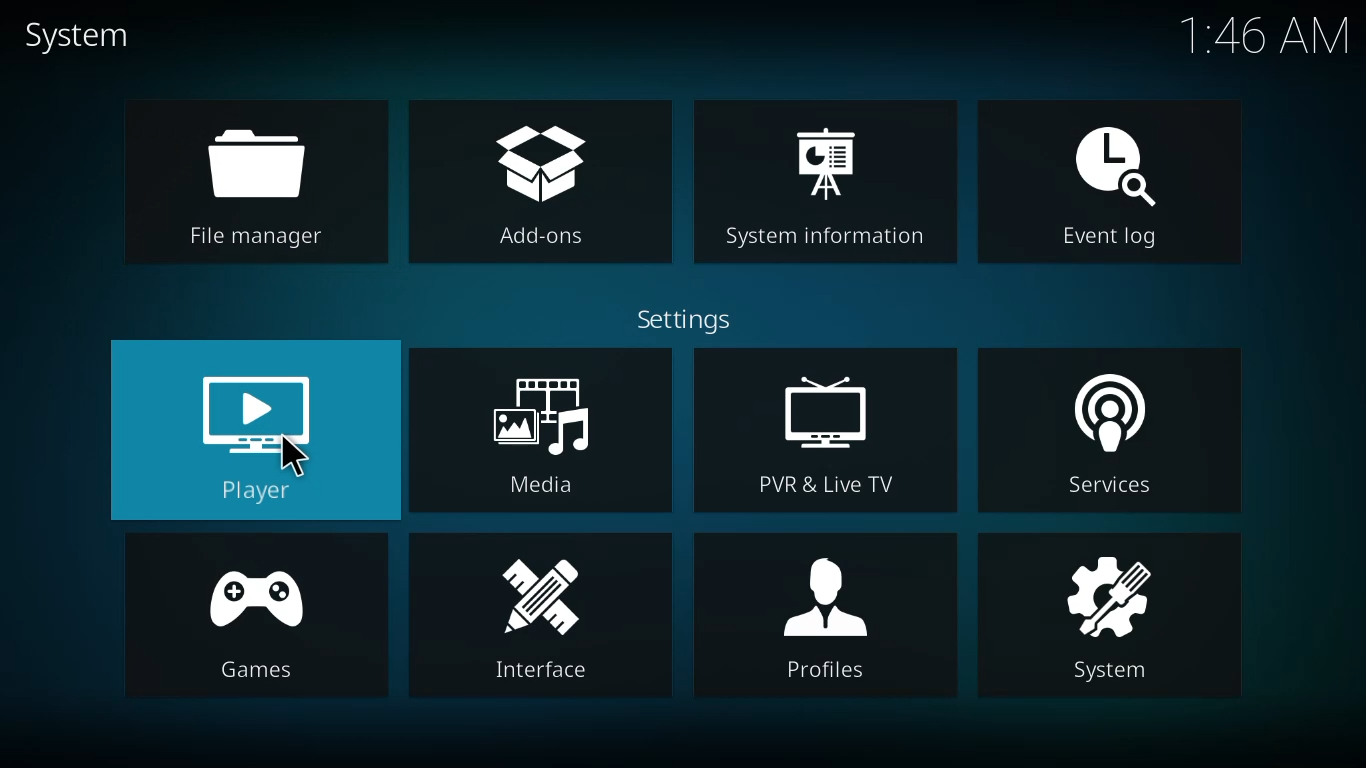  What do you see at coordinates (826, 428) in the screenshot?
I see `pvr & live tv` at bounding box center [826, 428].